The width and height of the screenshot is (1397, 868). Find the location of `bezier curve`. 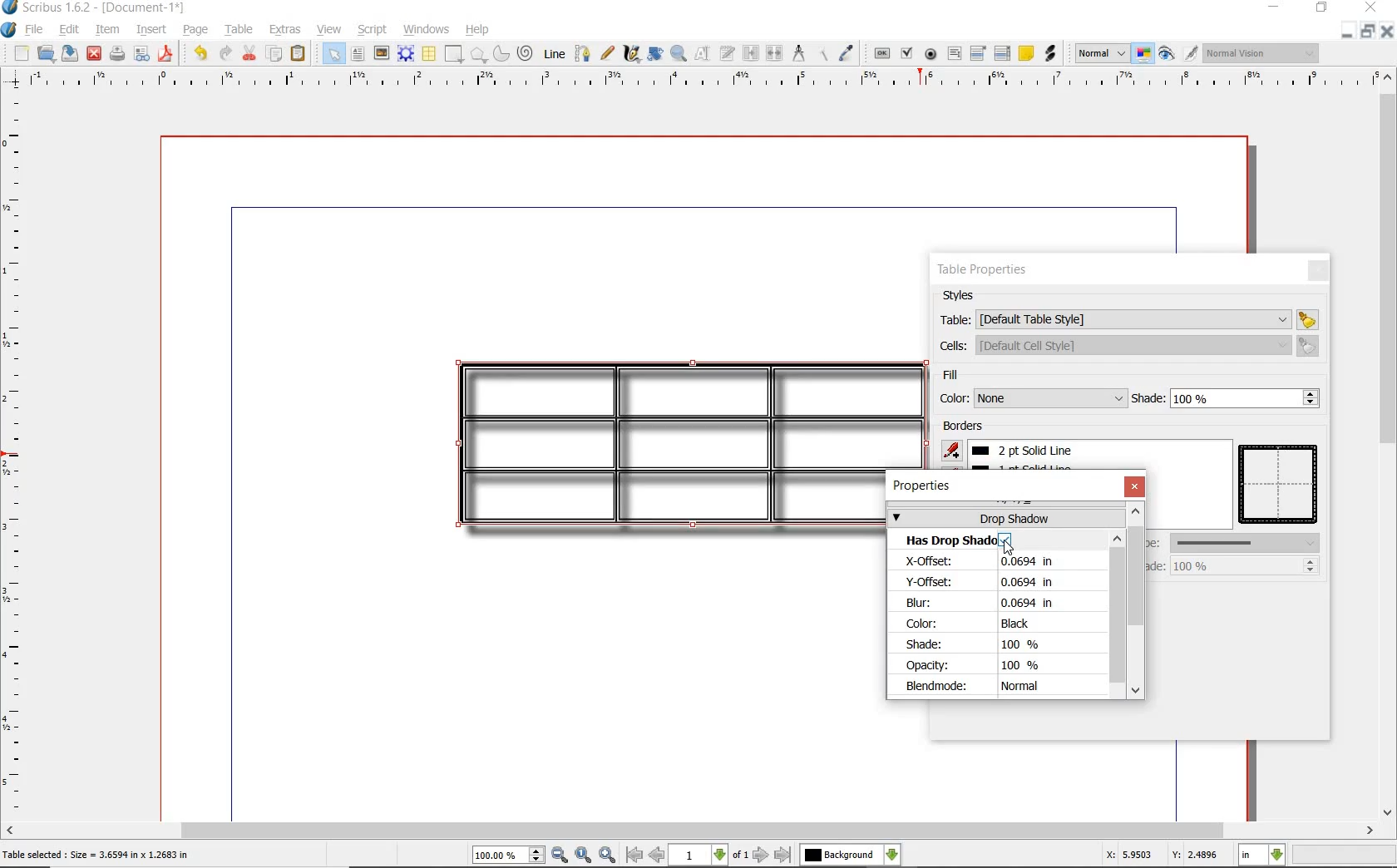

bezier curve is located at coordinates (583, 56).